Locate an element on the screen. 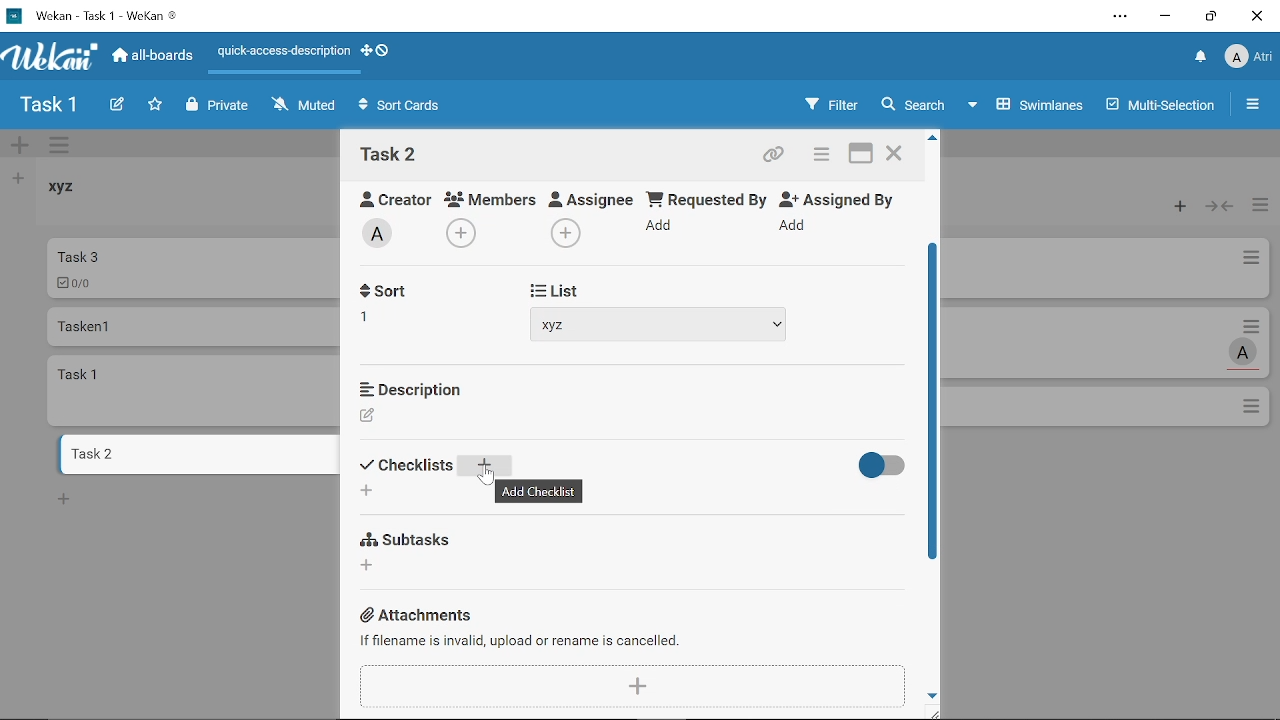 Image resolution: width=1280 pixels, height=720 pixels. card named "task 1" is located at coordinates (195, 390).